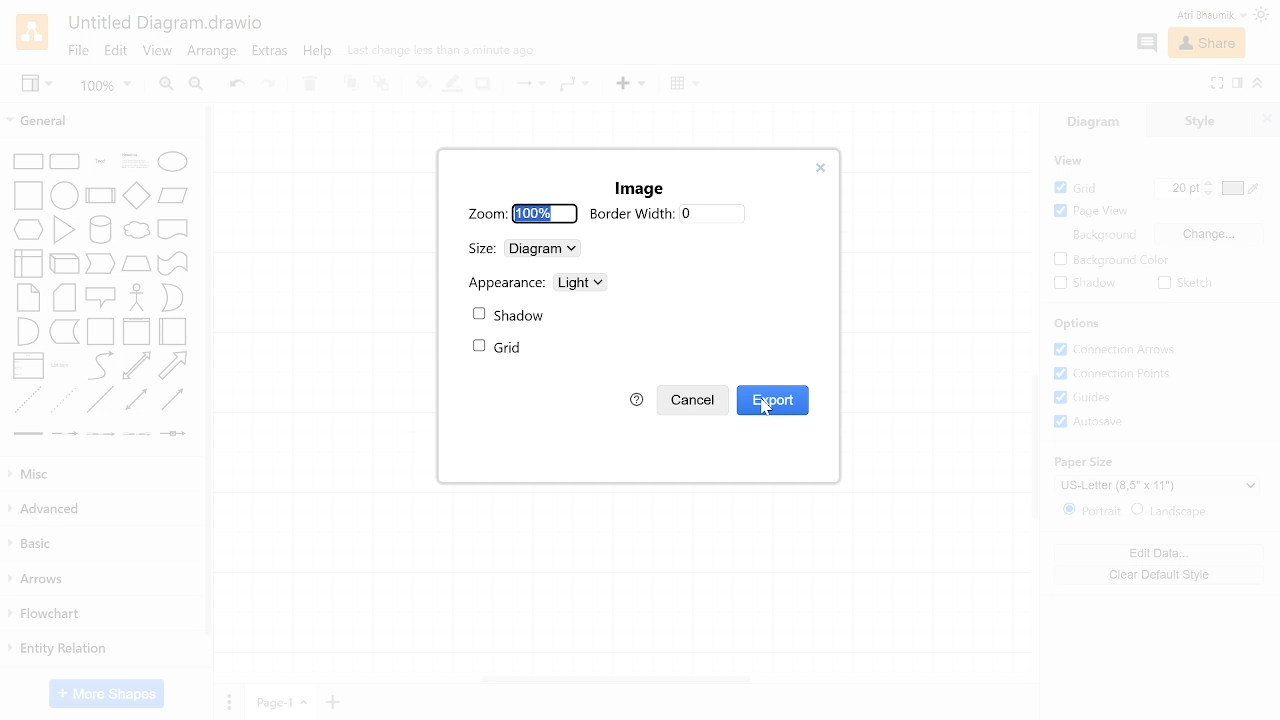 The image size is (1280, 720). I want to click on Help, so click(320, 53).